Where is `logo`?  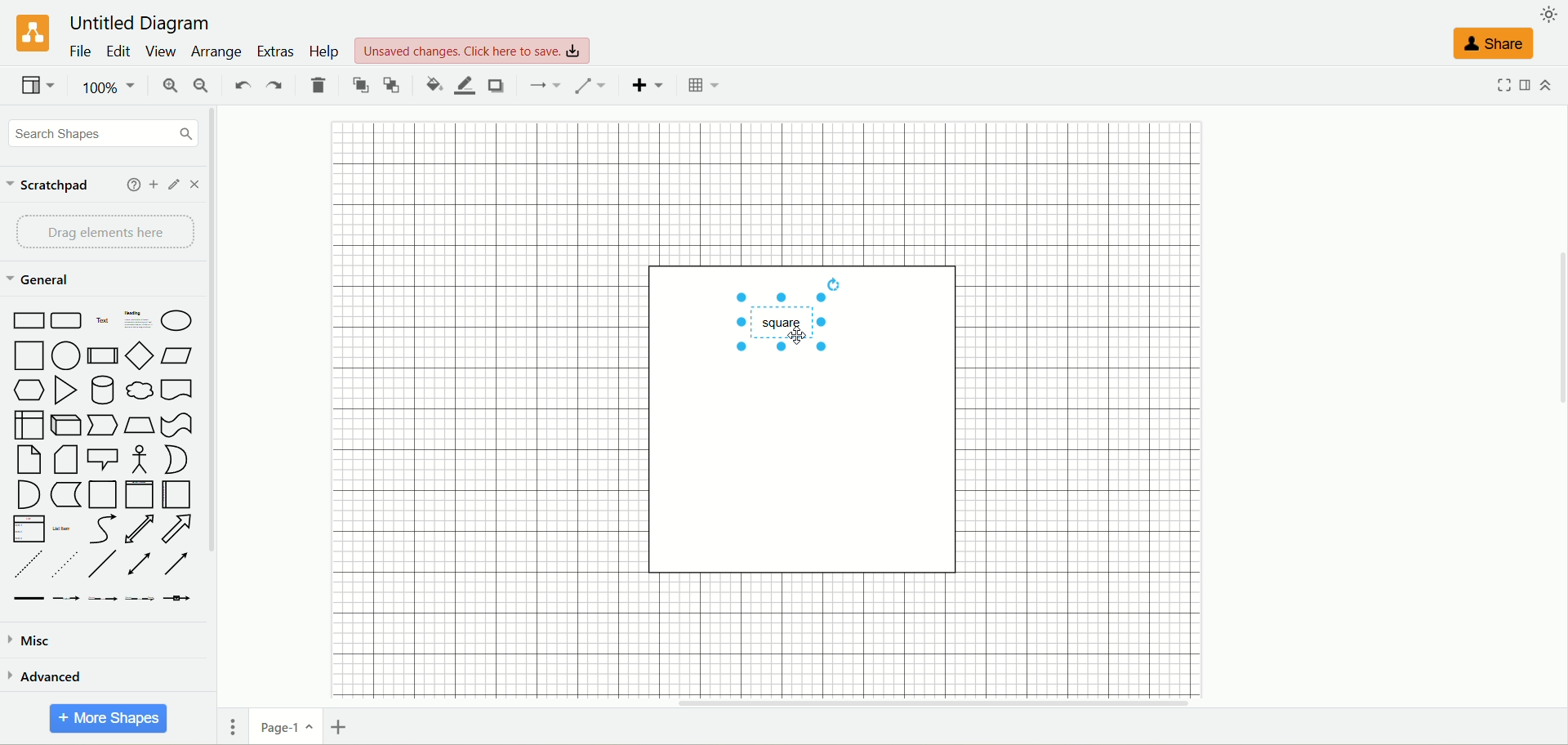
logo is located at coordinates (31, 34).